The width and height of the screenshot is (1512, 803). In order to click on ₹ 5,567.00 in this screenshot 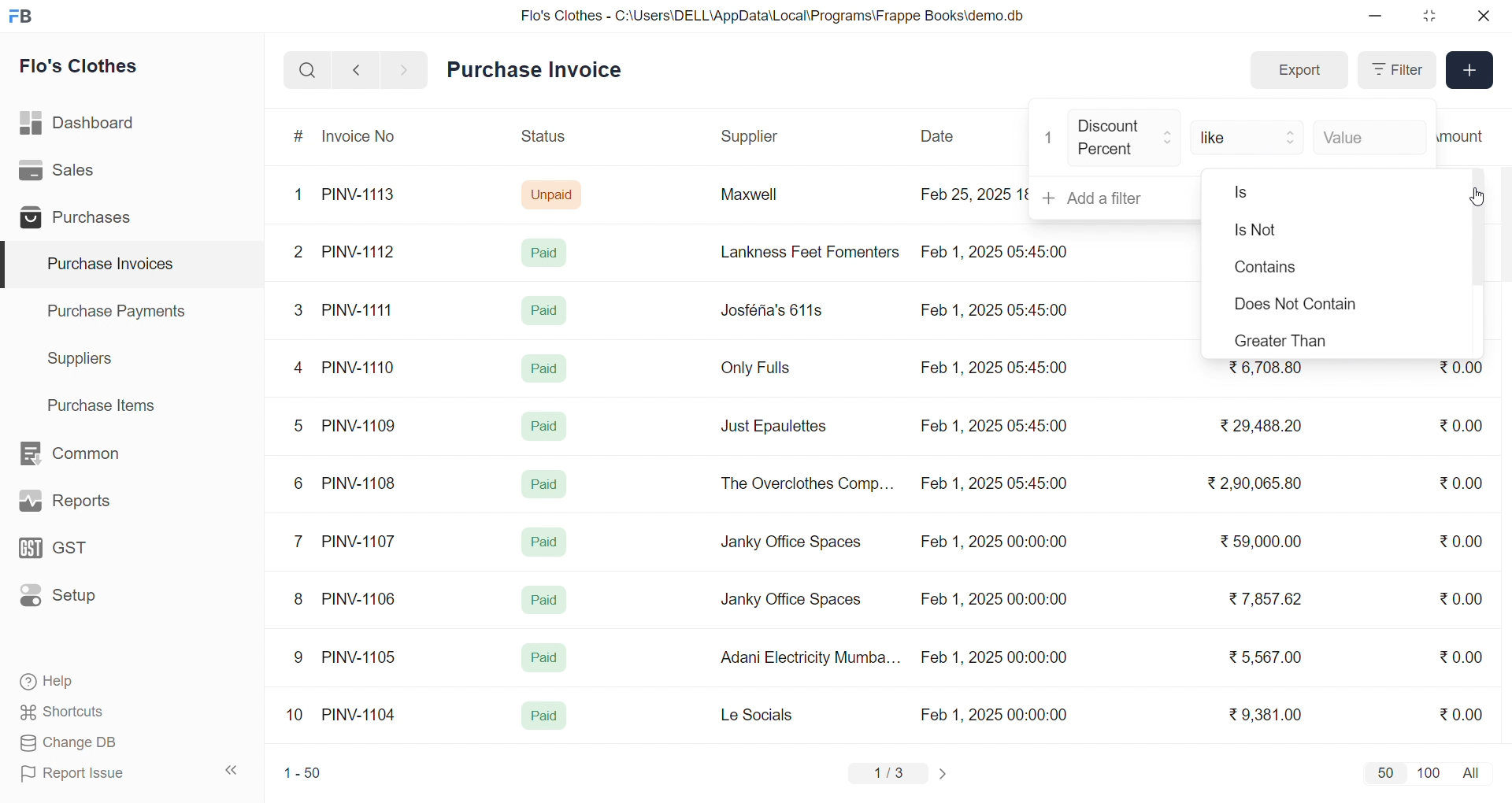, I will do `click(1262, 657)`.